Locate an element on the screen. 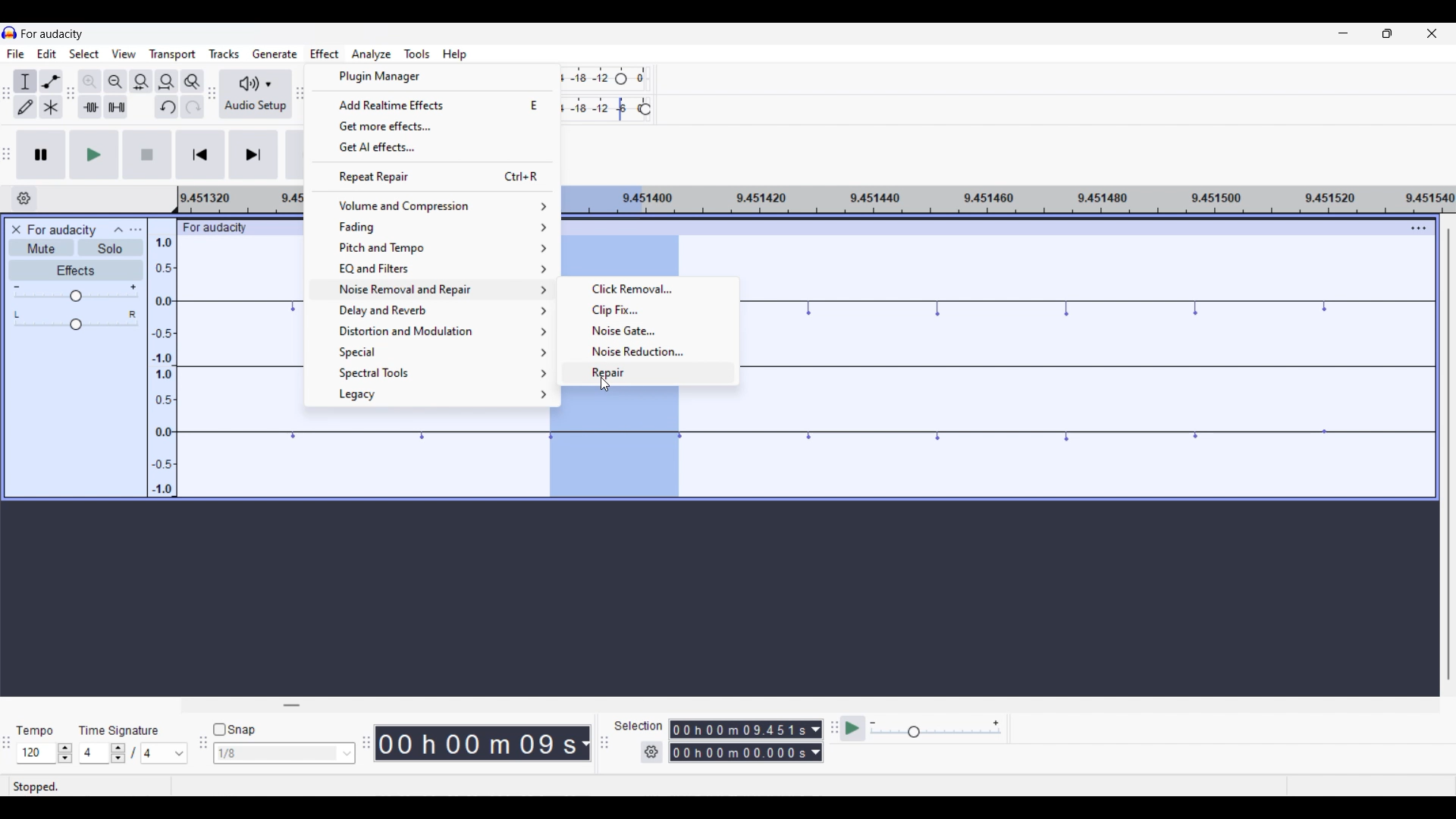 The height and width of the screenshot is (819, 1456). Volume and compression options is located at coordinates (435, 206).